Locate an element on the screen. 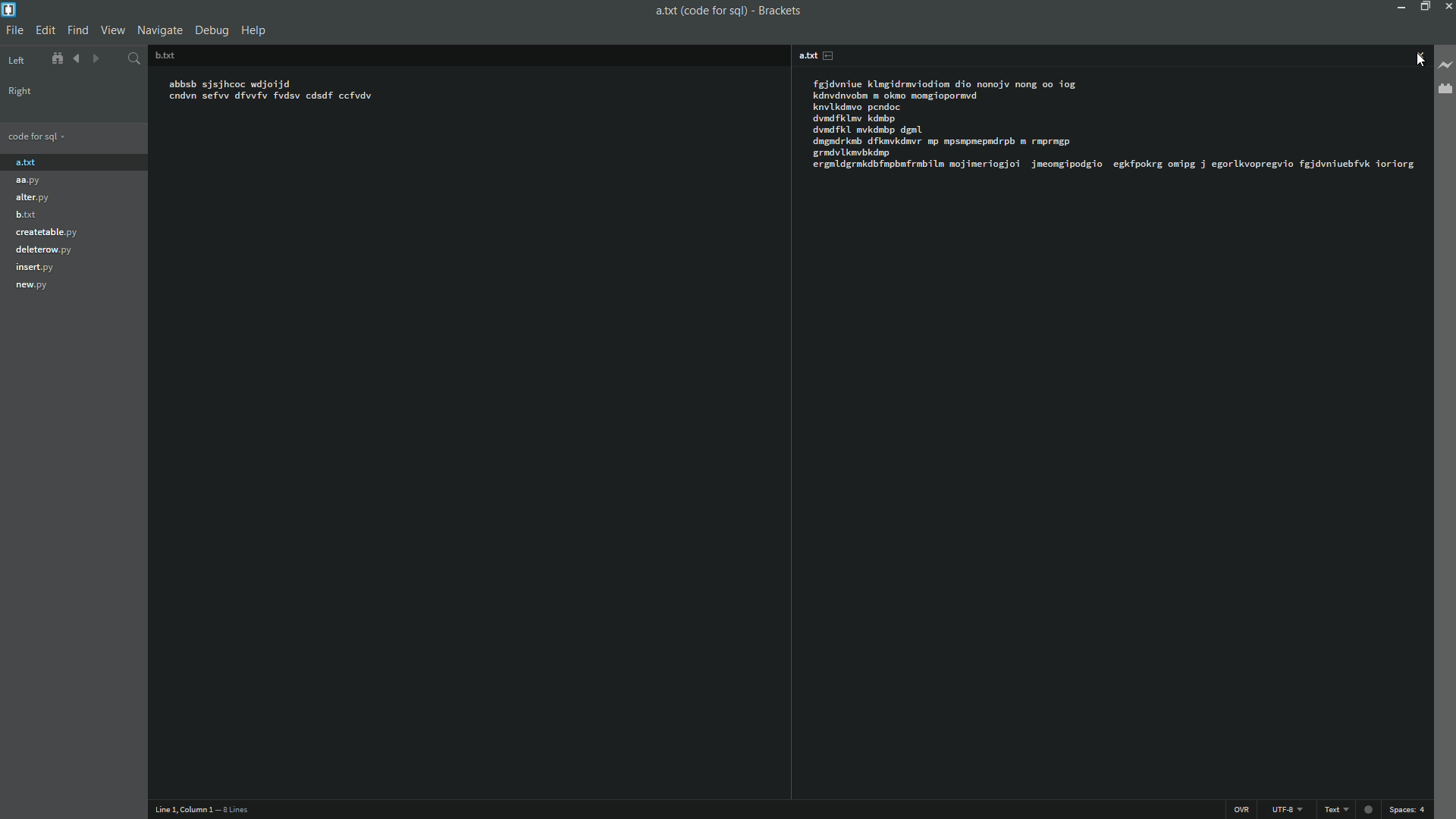 The width and height of the screenshot is (1456, 819). a.txt is located at coordinates (48, 162).